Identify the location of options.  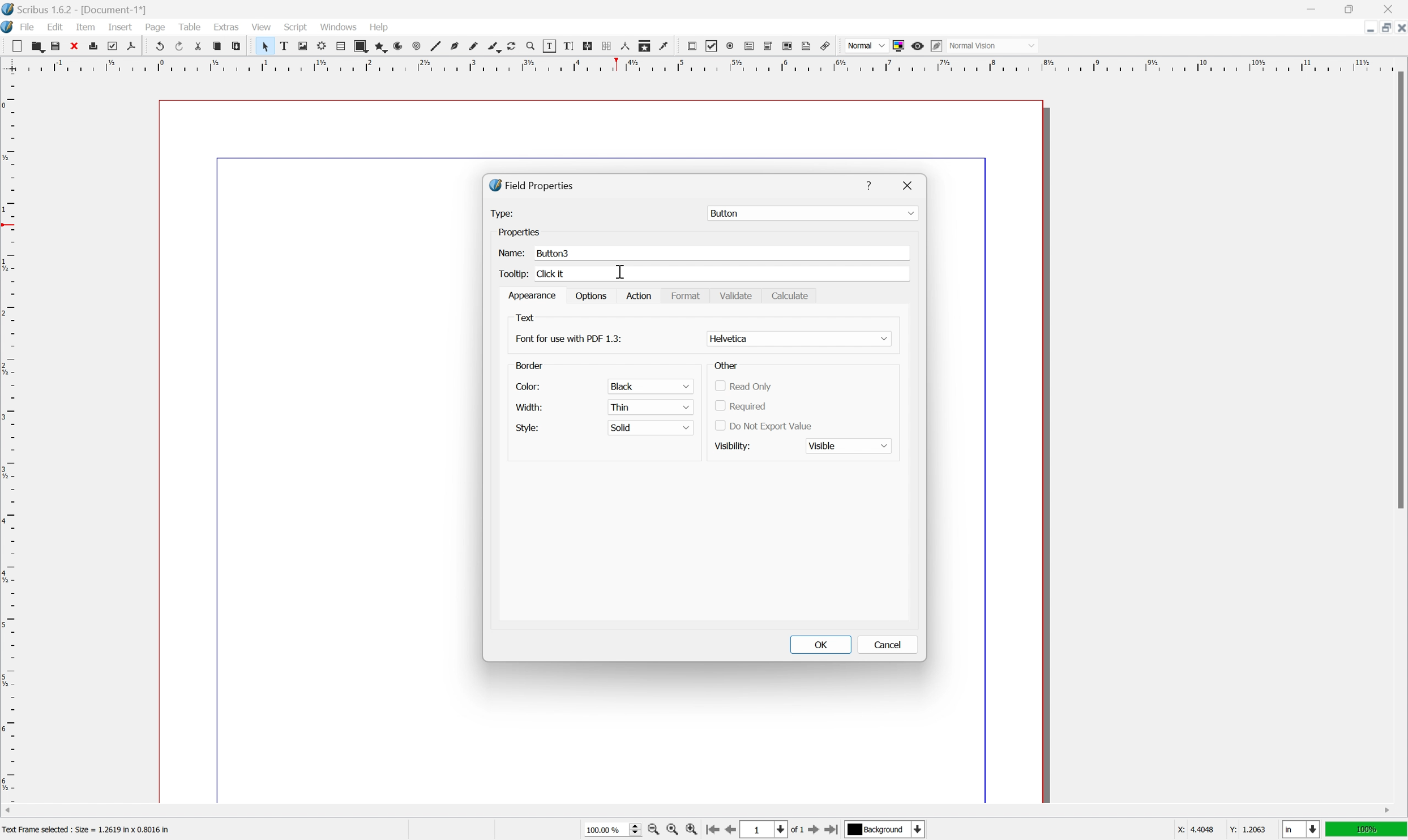
(590, 296).